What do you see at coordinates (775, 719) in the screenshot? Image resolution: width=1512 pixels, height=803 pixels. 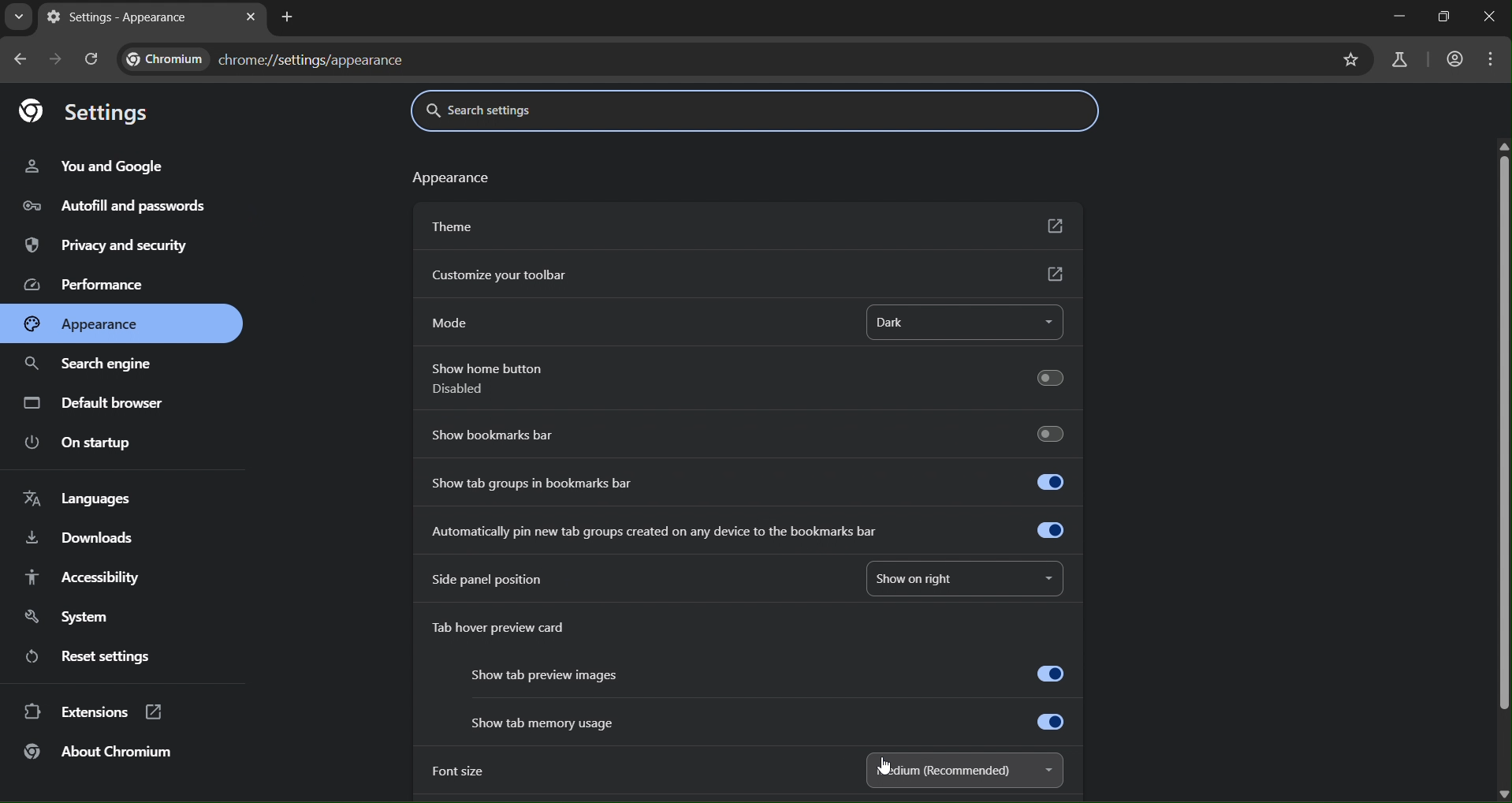 I see `show tab memory usage` at bounding box center [775, 719].